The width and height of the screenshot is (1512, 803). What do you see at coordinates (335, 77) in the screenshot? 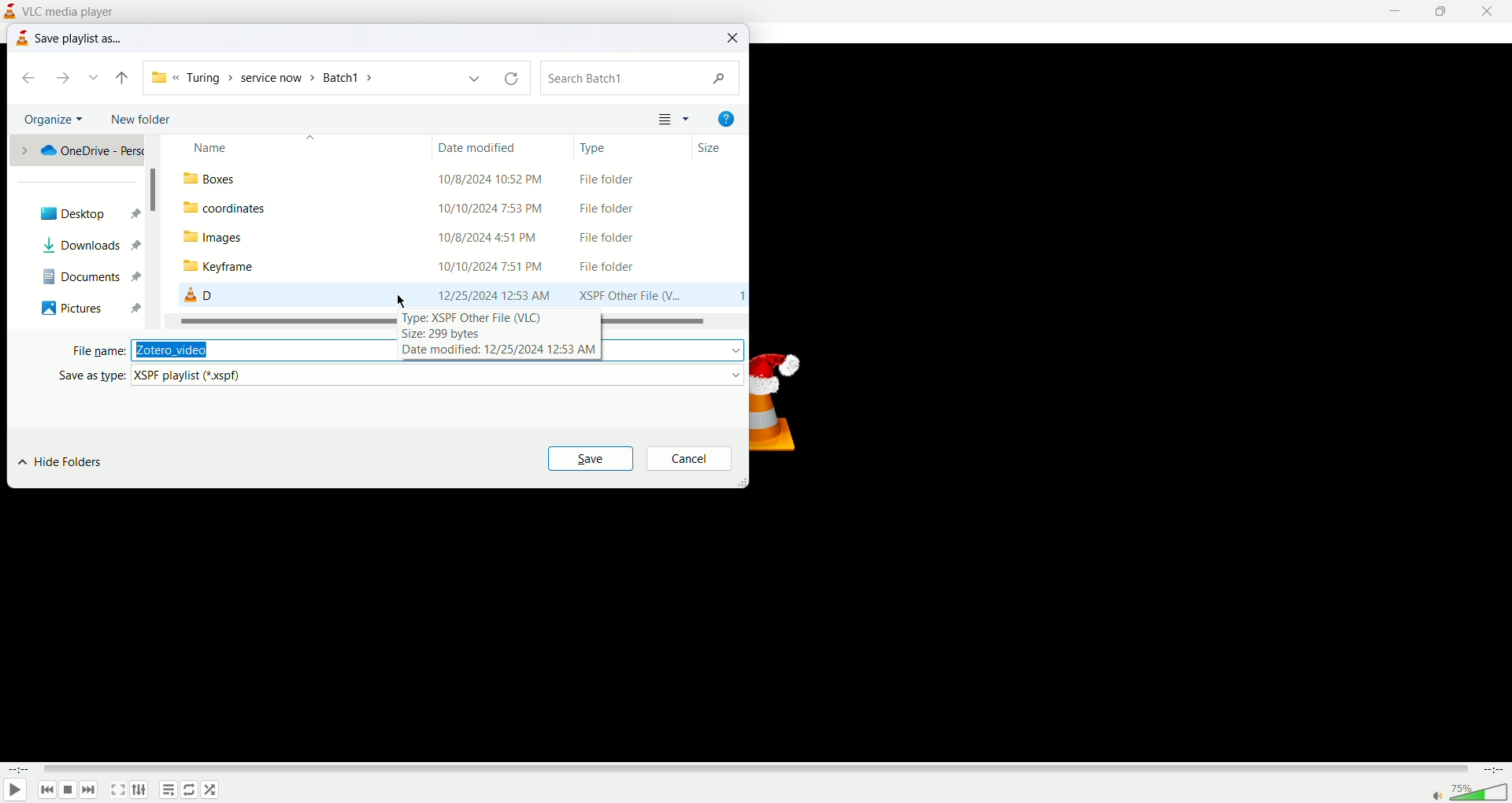
I see `Address bar` at bounding box center [335, 77].